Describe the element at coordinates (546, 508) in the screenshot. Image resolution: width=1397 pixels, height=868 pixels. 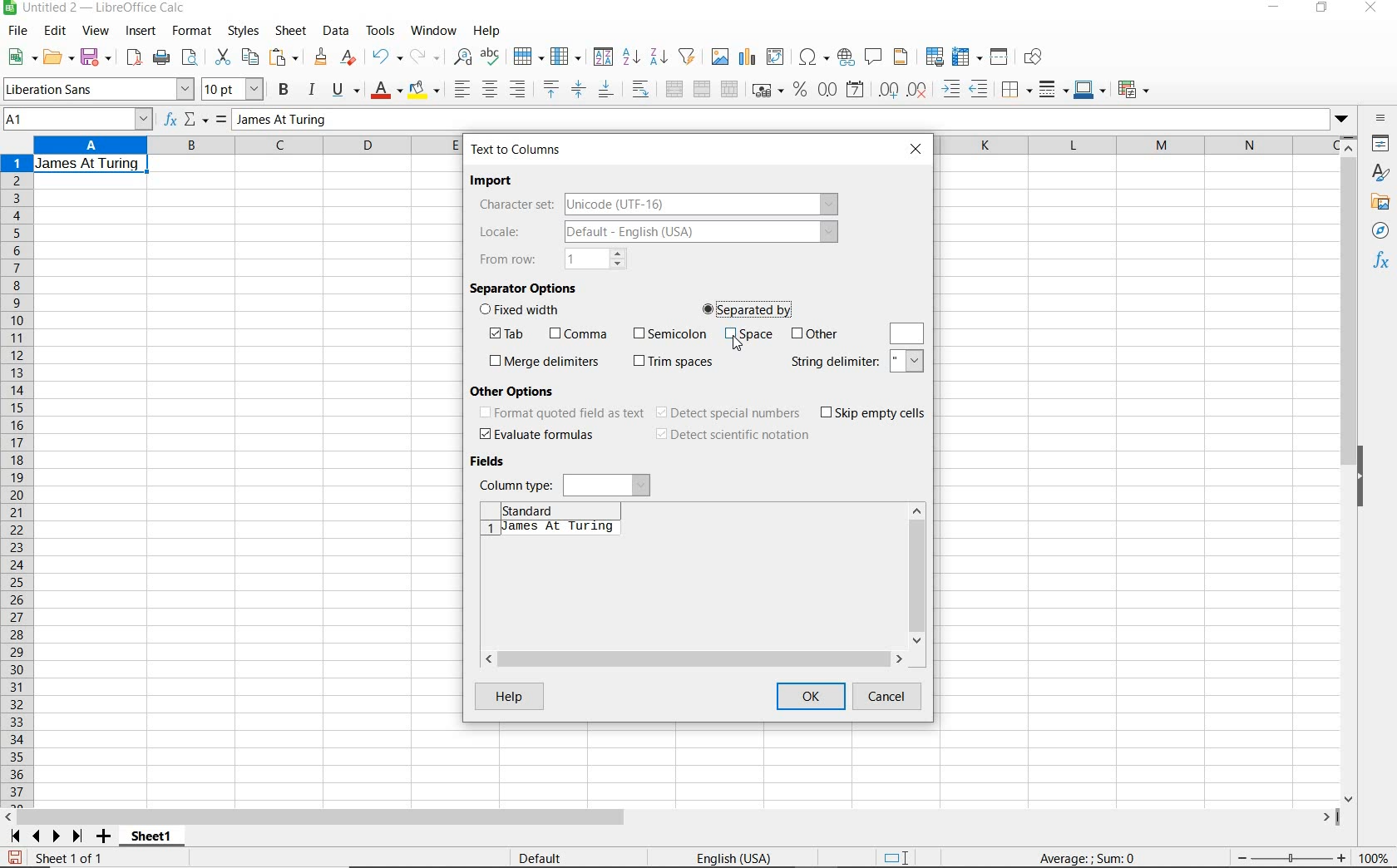
I see `standard` at that location.